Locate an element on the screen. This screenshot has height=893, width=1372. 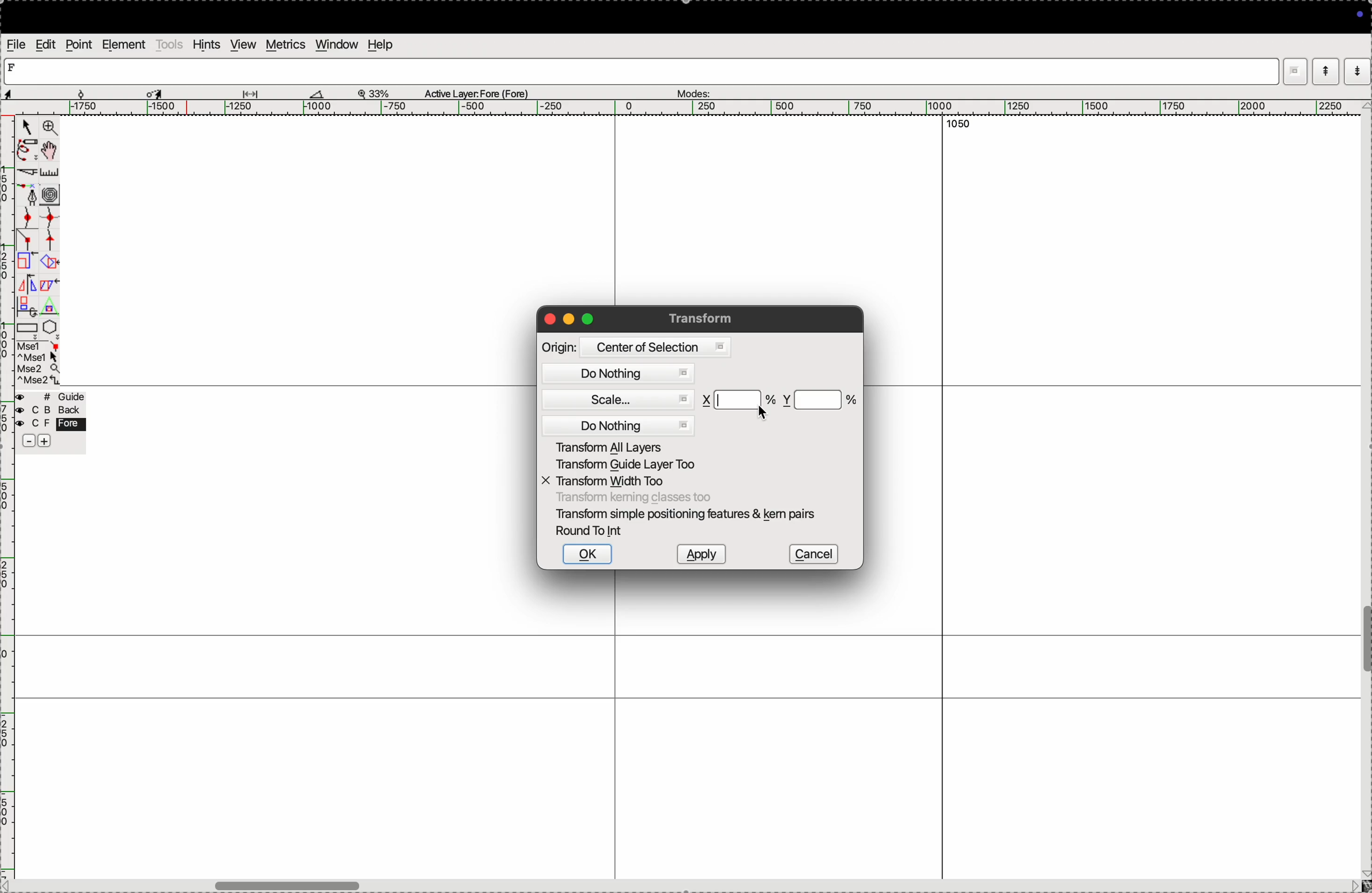
zoom perecent is located at coordinates (374, 92).